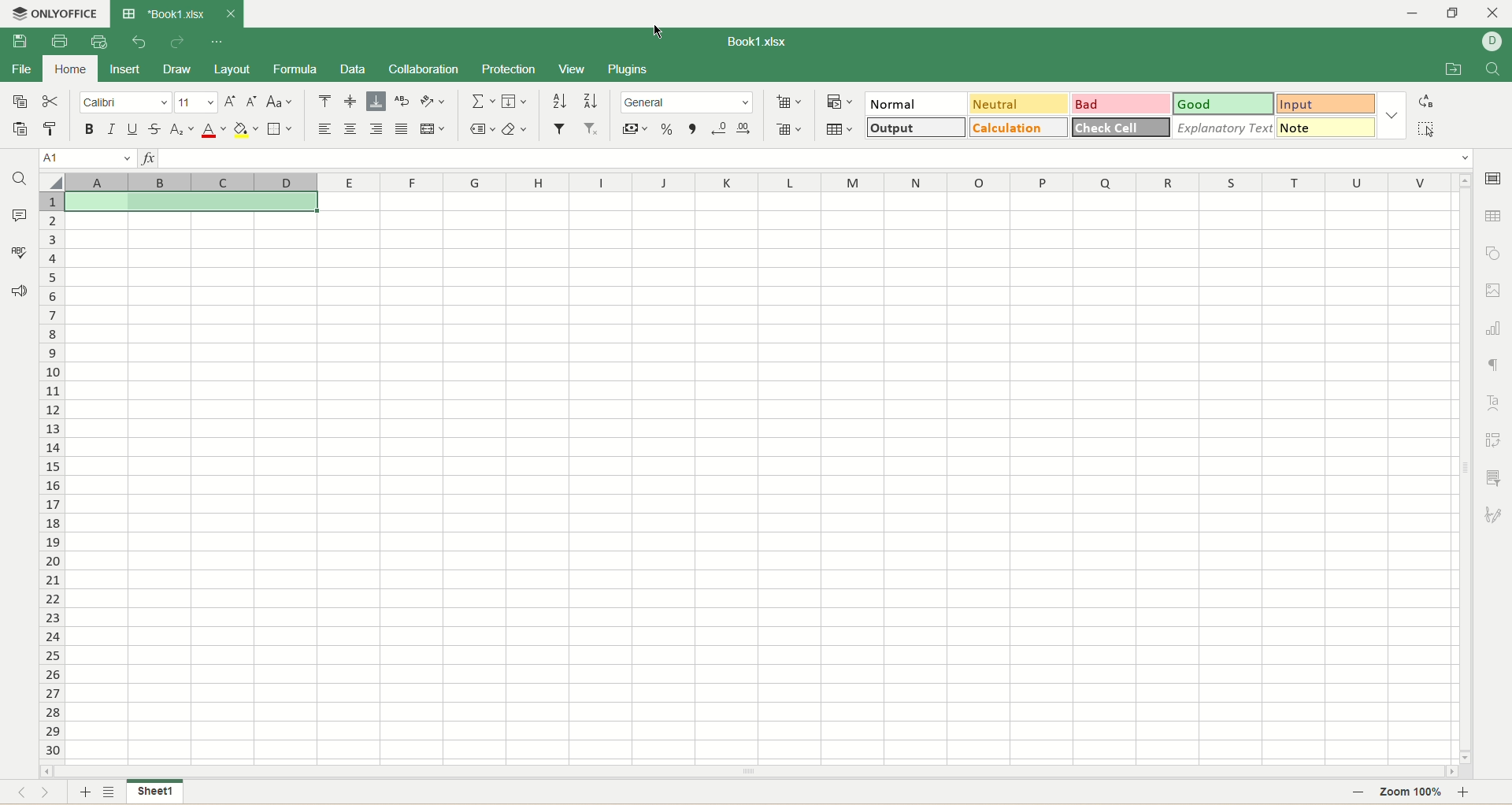 The image size is (1512, 805). I want to click on pivot settings, so click(1495, 440).